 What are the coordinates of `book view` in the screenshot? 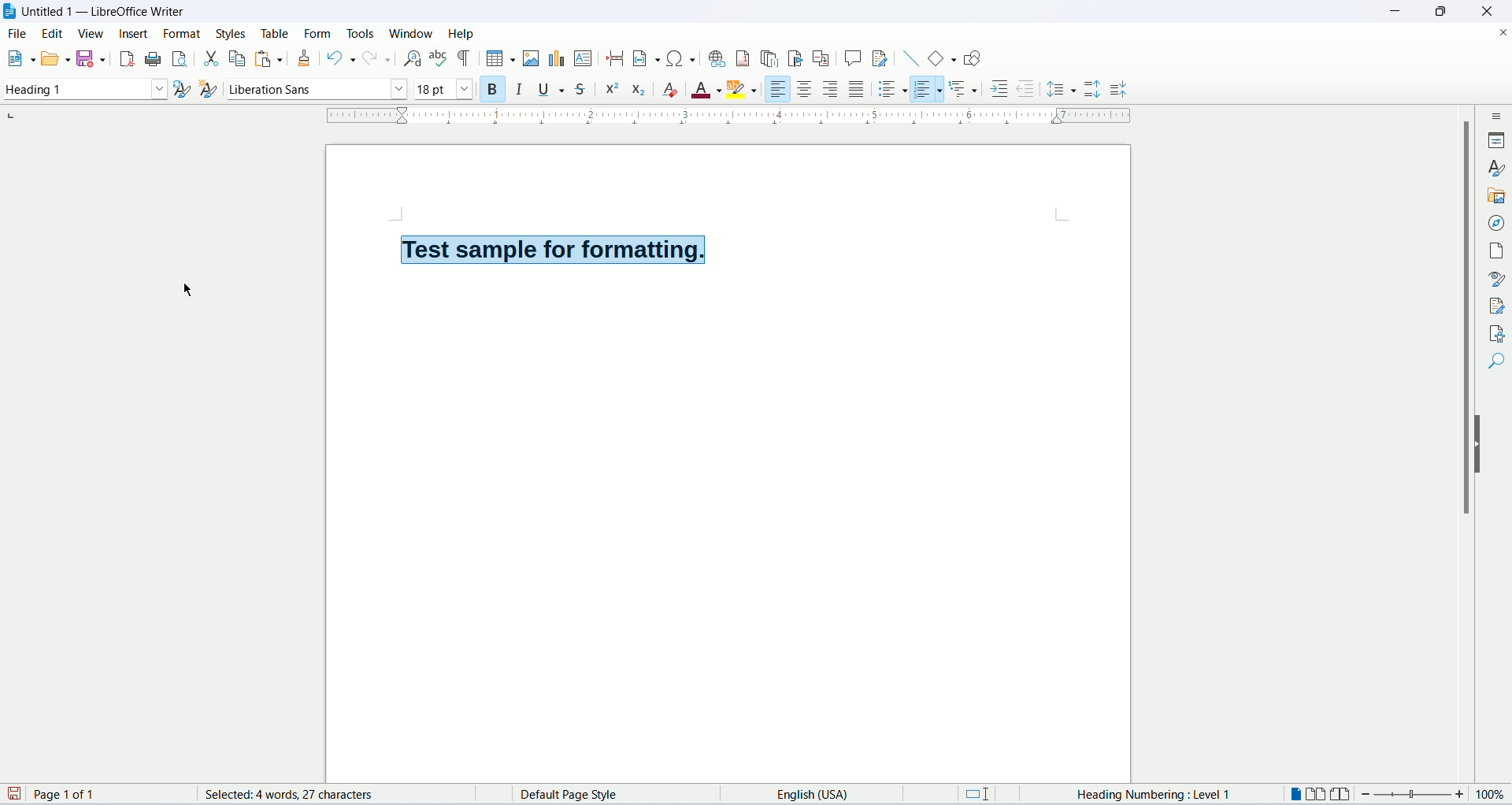 It's located at (1343, 794).